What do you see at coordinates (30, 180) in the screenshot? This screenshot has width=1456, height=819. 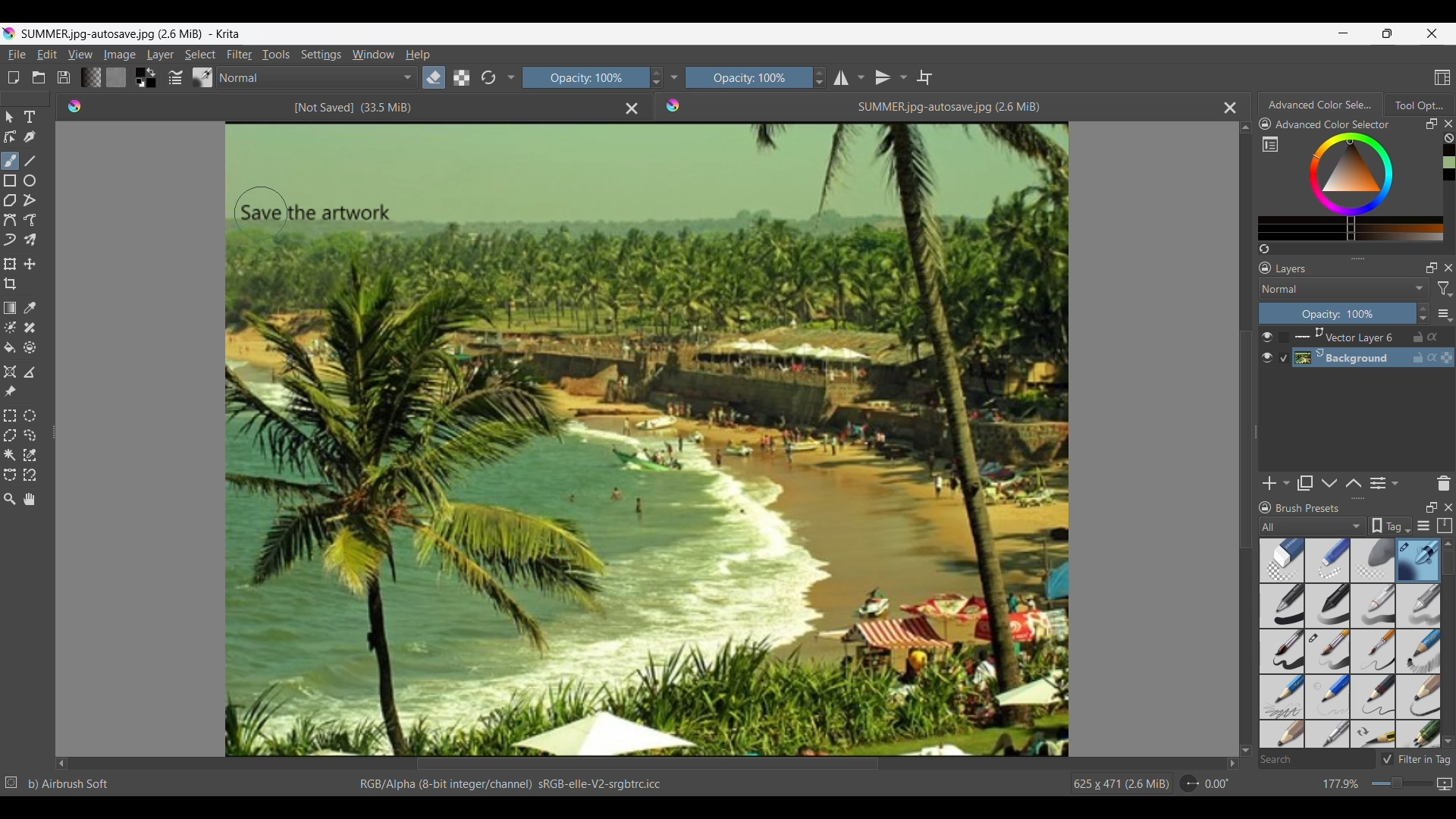 I see `Ellipse tool` at bounding box center [30, 180].